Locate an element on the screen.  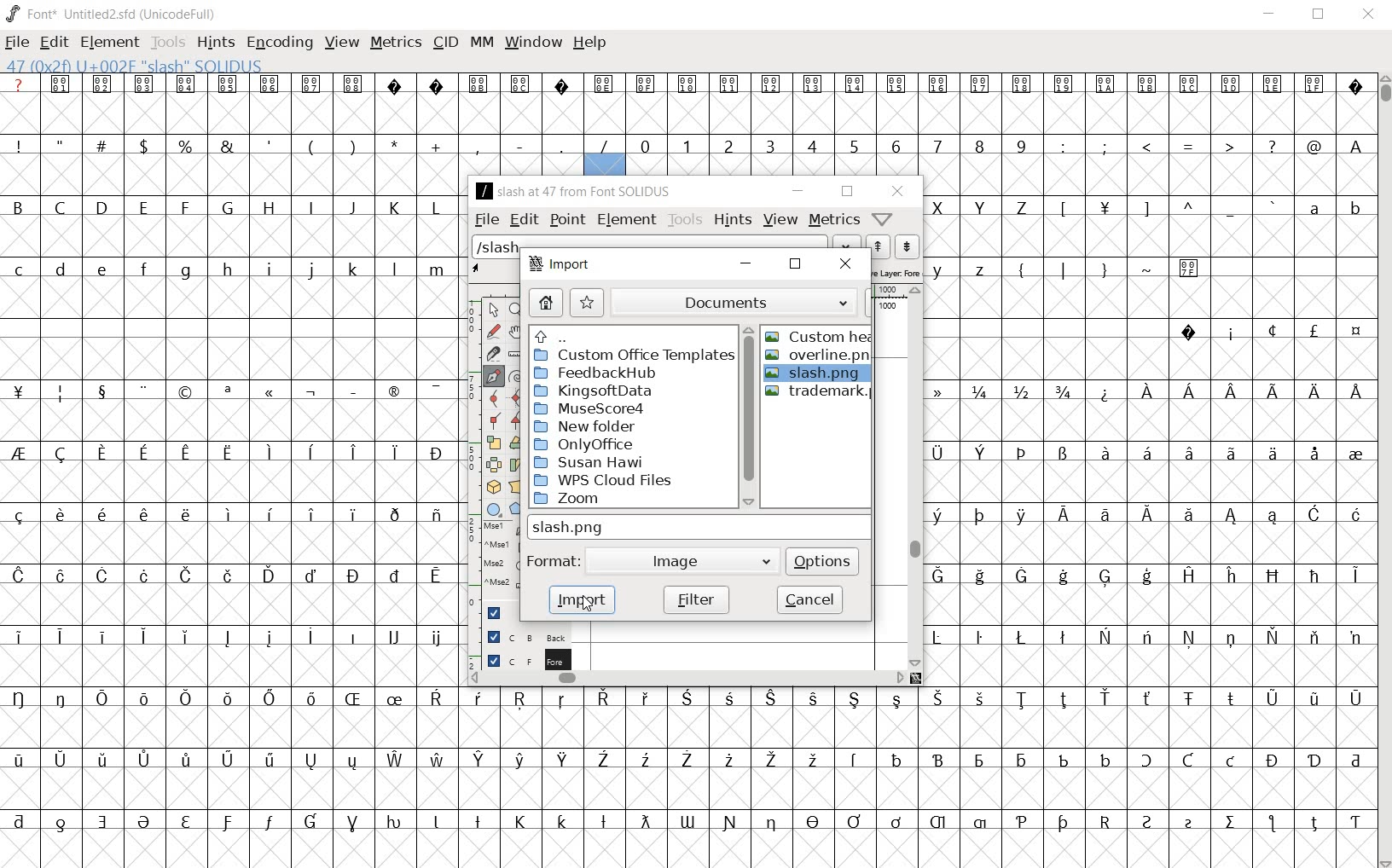
scrollbar is located at coordinates (686, 680).